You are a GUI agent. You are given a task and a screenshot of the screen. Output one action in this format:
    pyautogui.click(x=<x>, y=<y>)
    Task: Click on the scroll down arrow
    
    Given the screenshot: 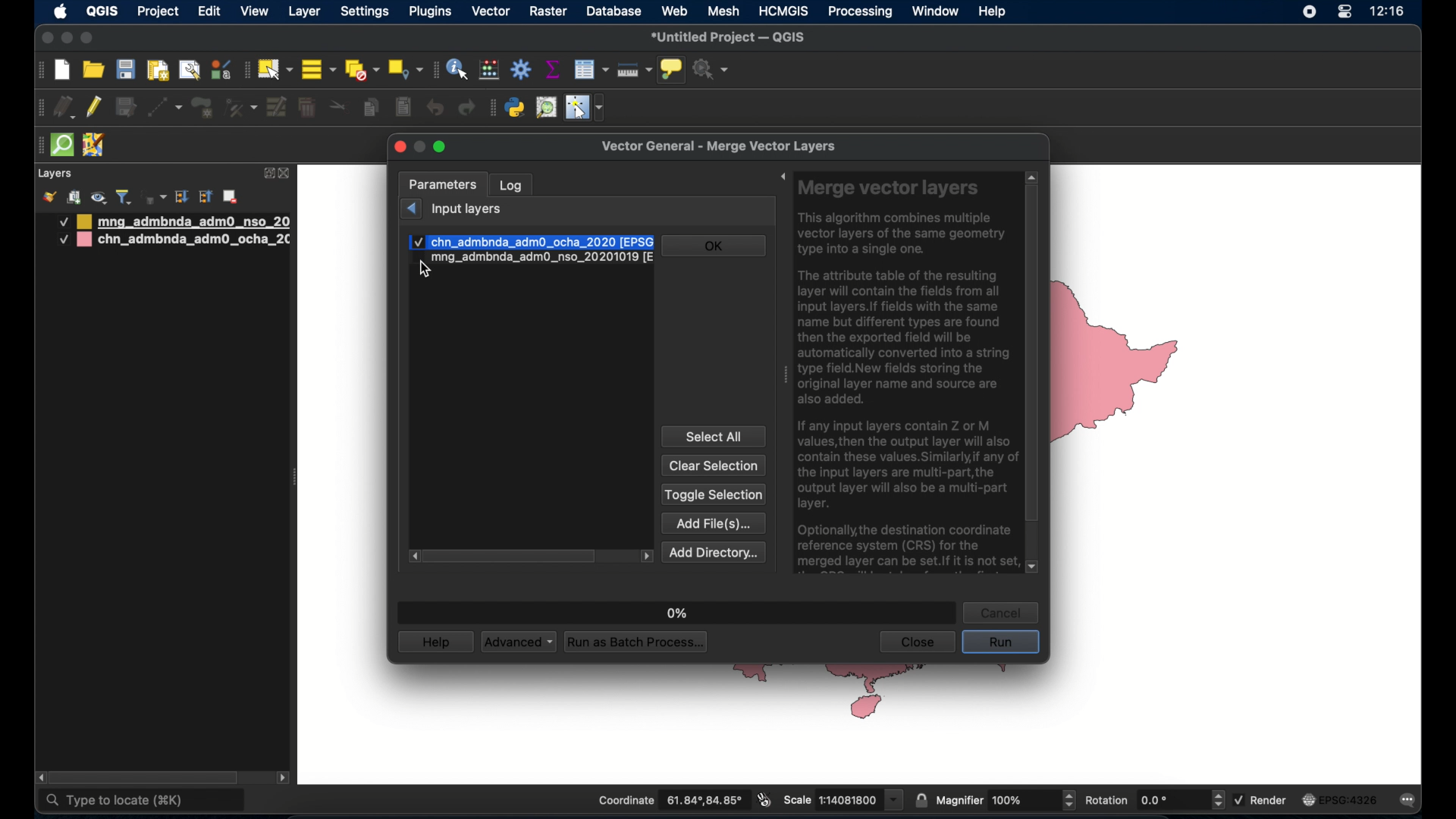 What is the action you would take?
    pyautogui.click(x=1034, y=568)
    